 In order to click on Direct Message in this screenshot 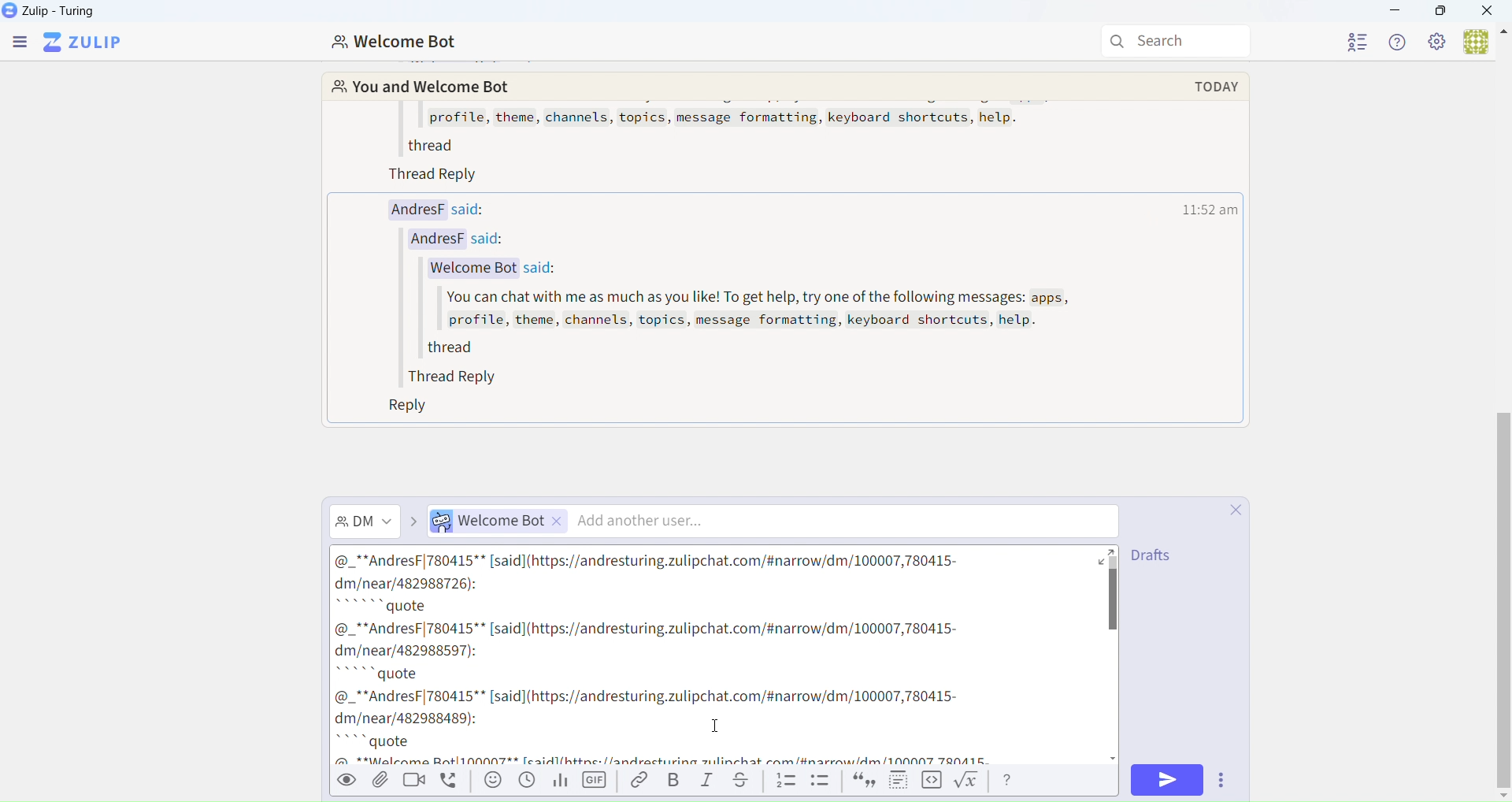, I will do `click(369, 519)`.